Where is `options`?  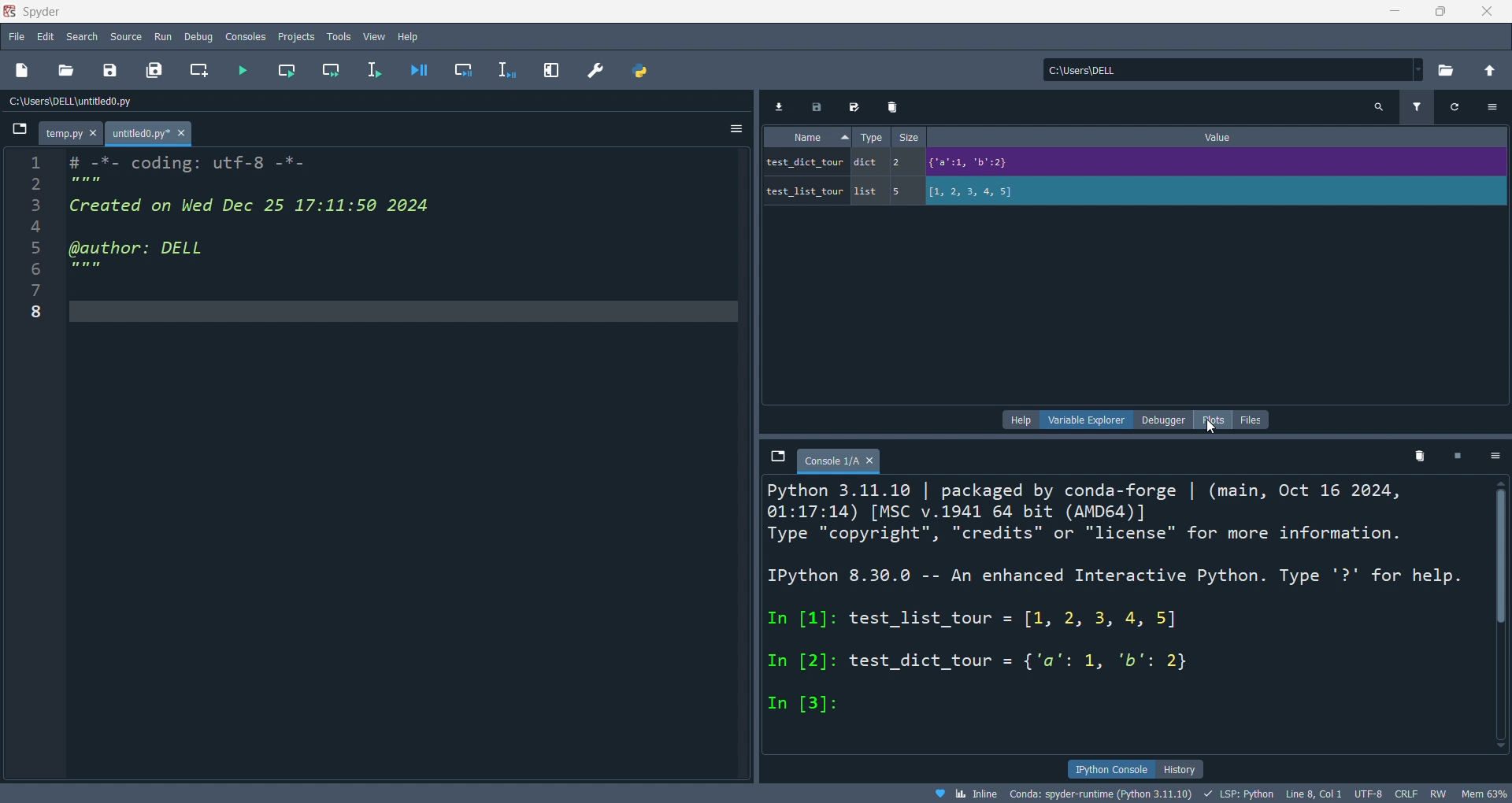 options is located at coordinates (1493, 455).